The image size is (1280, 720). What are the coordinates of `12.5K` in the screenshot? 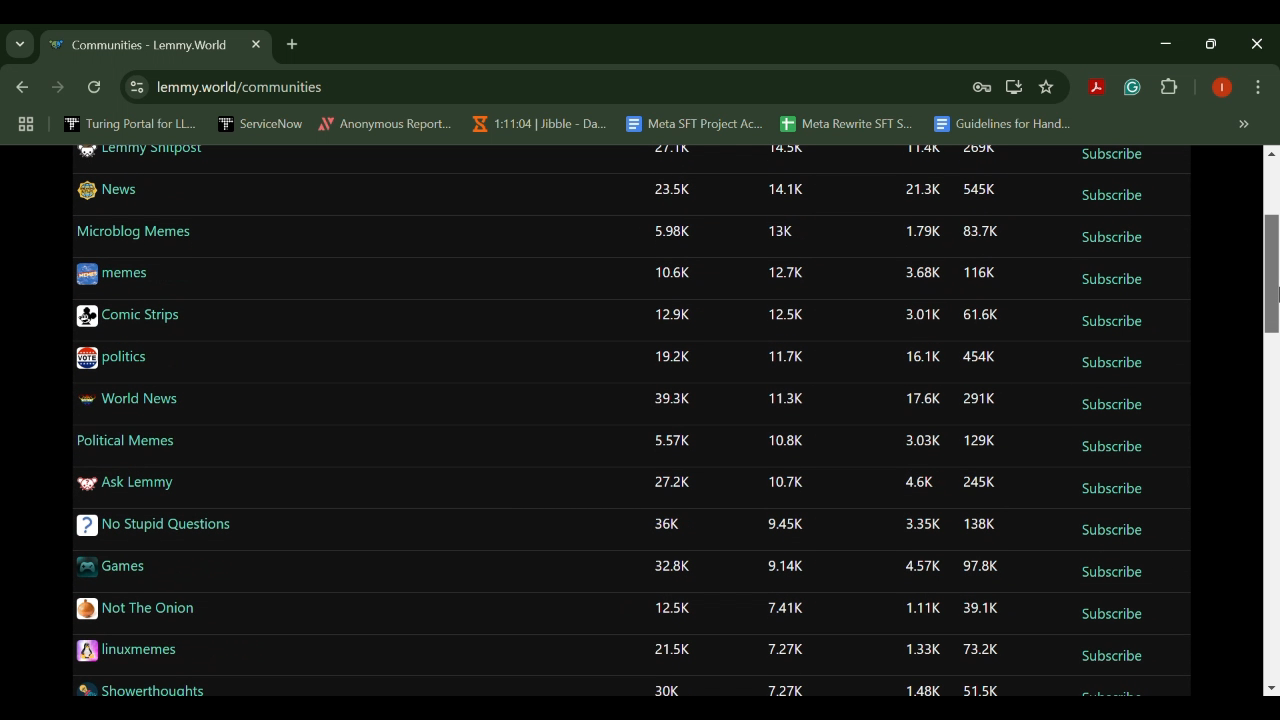 It's located at (788, 314).